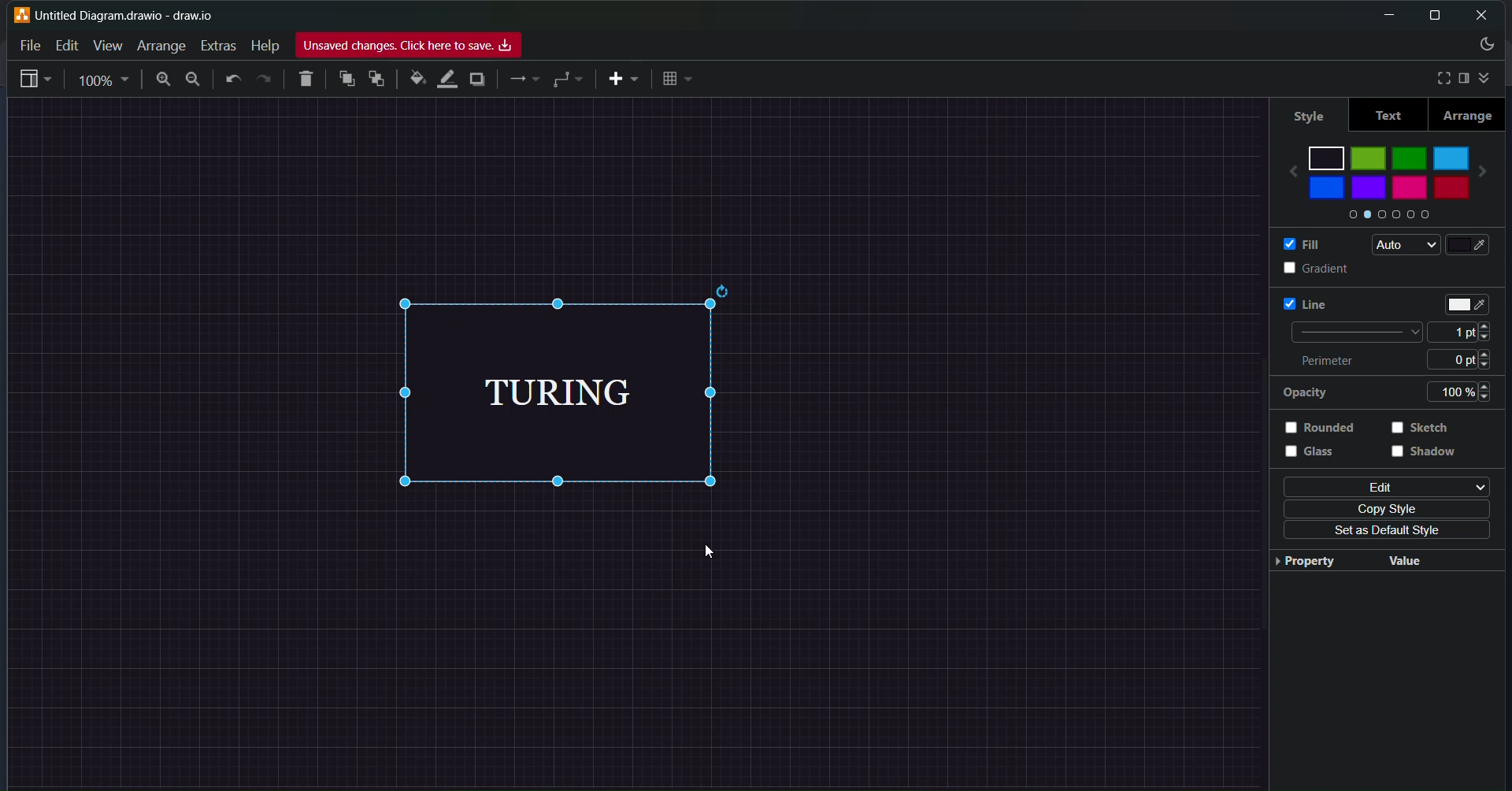  What do you see at coordinates (1382, 486) in the screenshot?
I see `edit` at bounding box center [1382, 486].